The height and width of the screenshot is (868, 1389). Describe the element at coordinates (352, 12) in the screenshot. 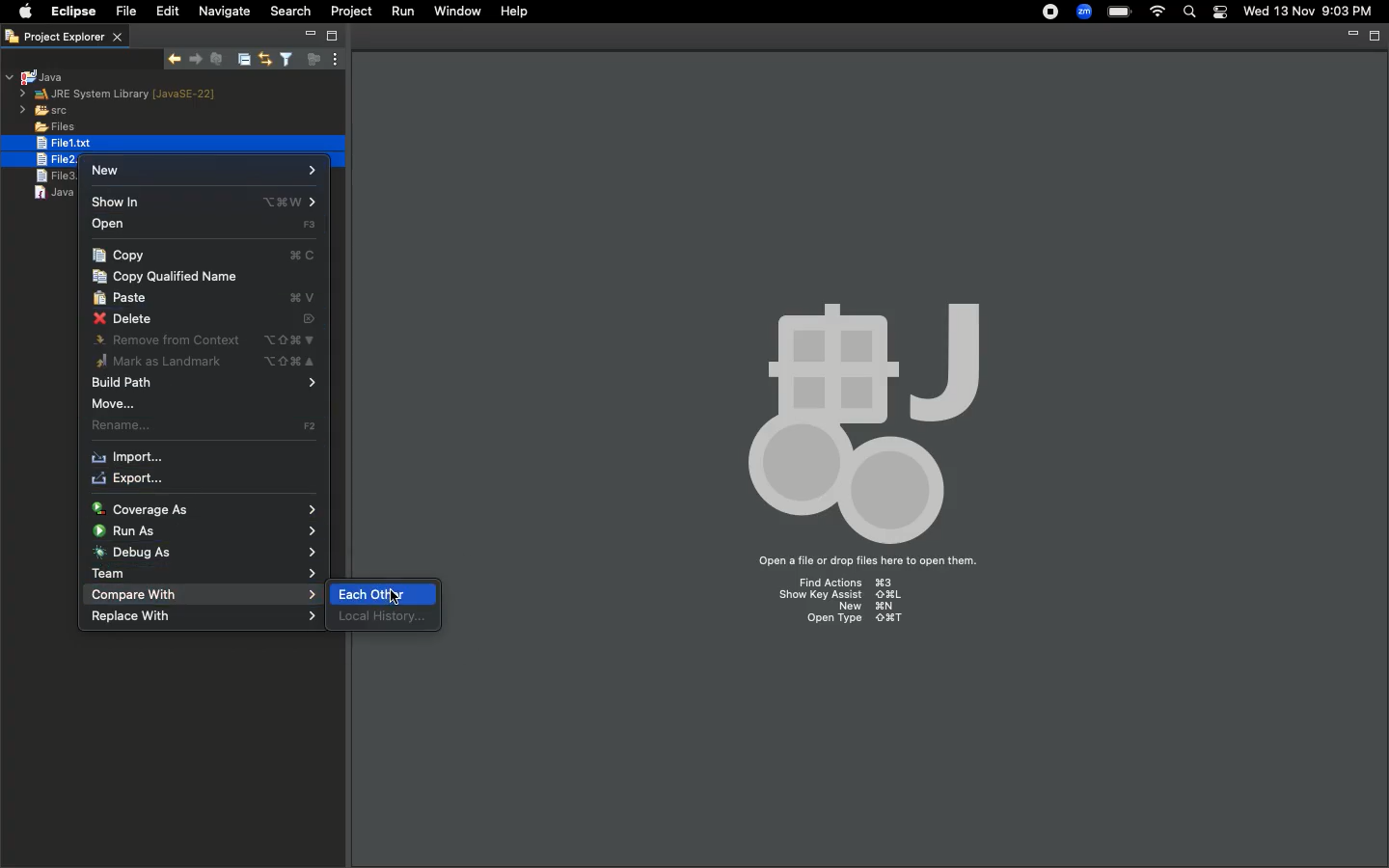

I see `Project` at that location.